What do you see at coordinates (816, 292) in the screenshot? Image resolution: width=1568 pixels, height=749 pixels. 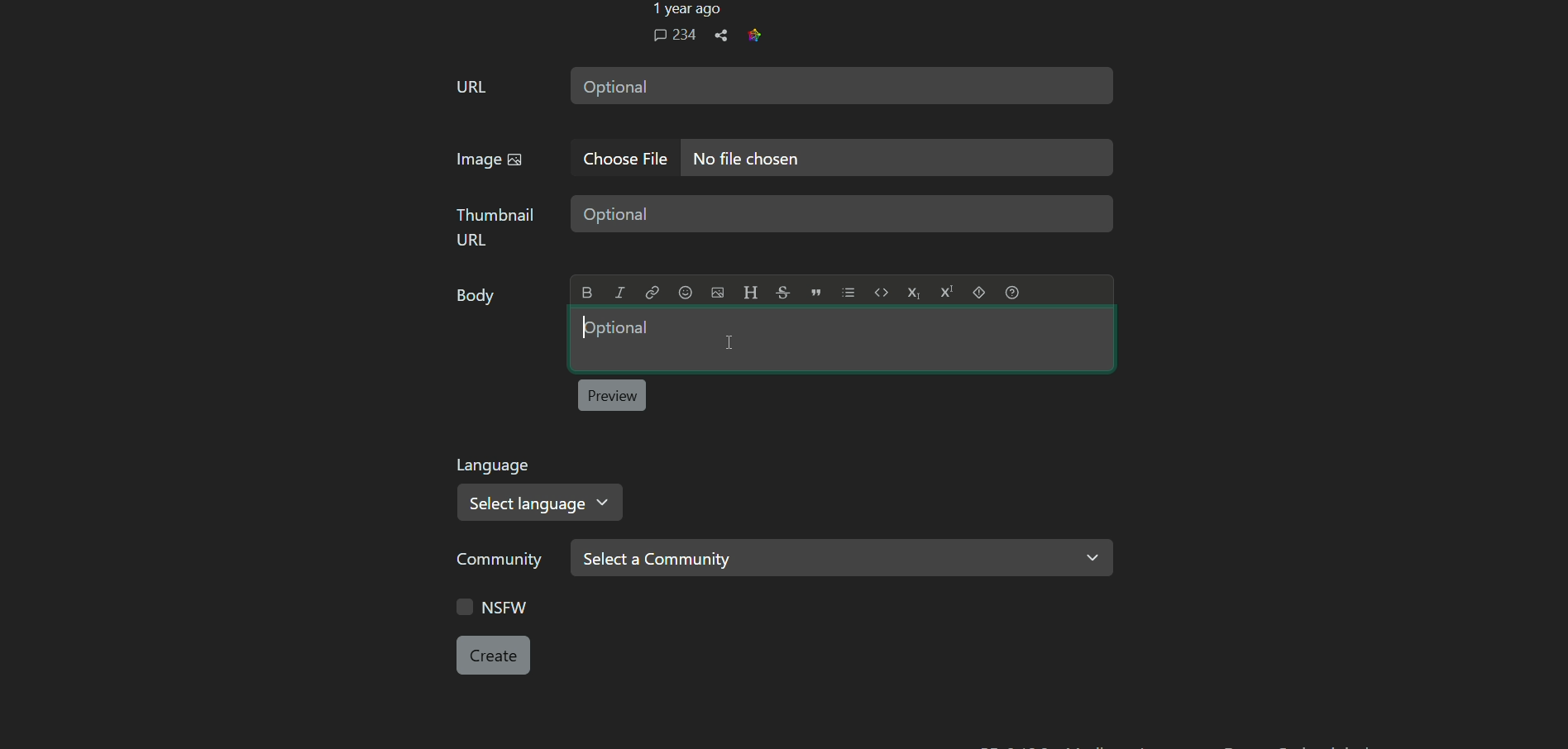 I see `Quote` at bounding box center [816, 292].